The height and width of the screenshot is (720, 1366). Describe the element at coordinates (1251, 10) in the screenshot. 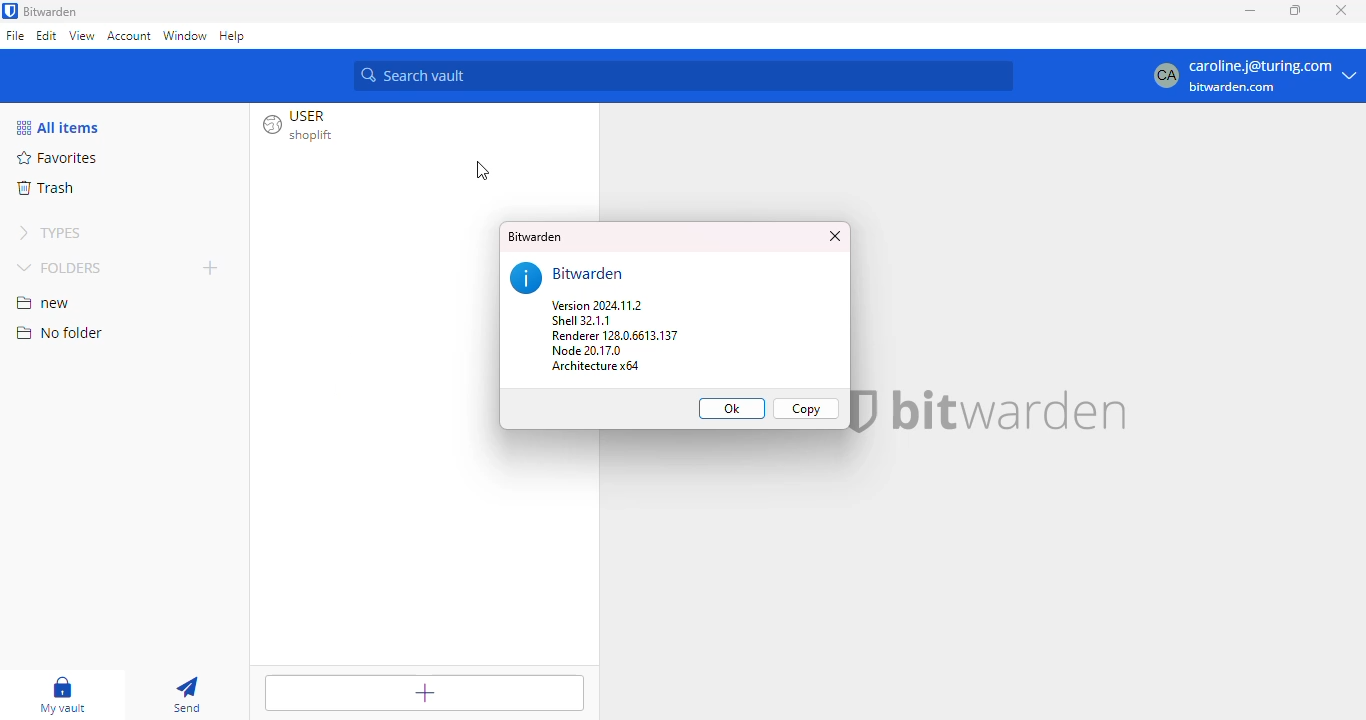

I see `minimize` at that location.